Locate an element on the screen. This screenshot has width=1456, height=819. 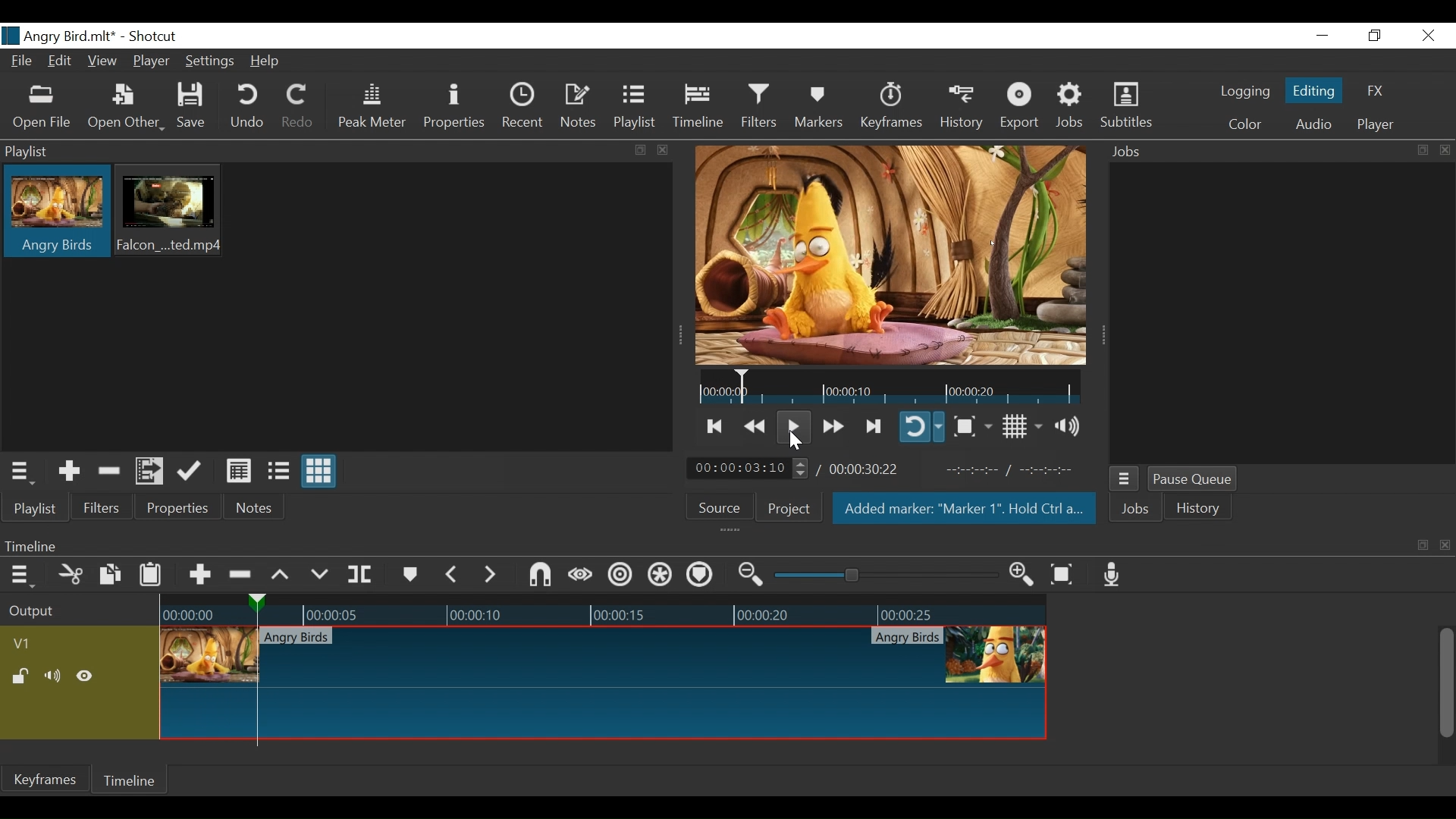
Pause Queue is located at coordinates (1193, 479).